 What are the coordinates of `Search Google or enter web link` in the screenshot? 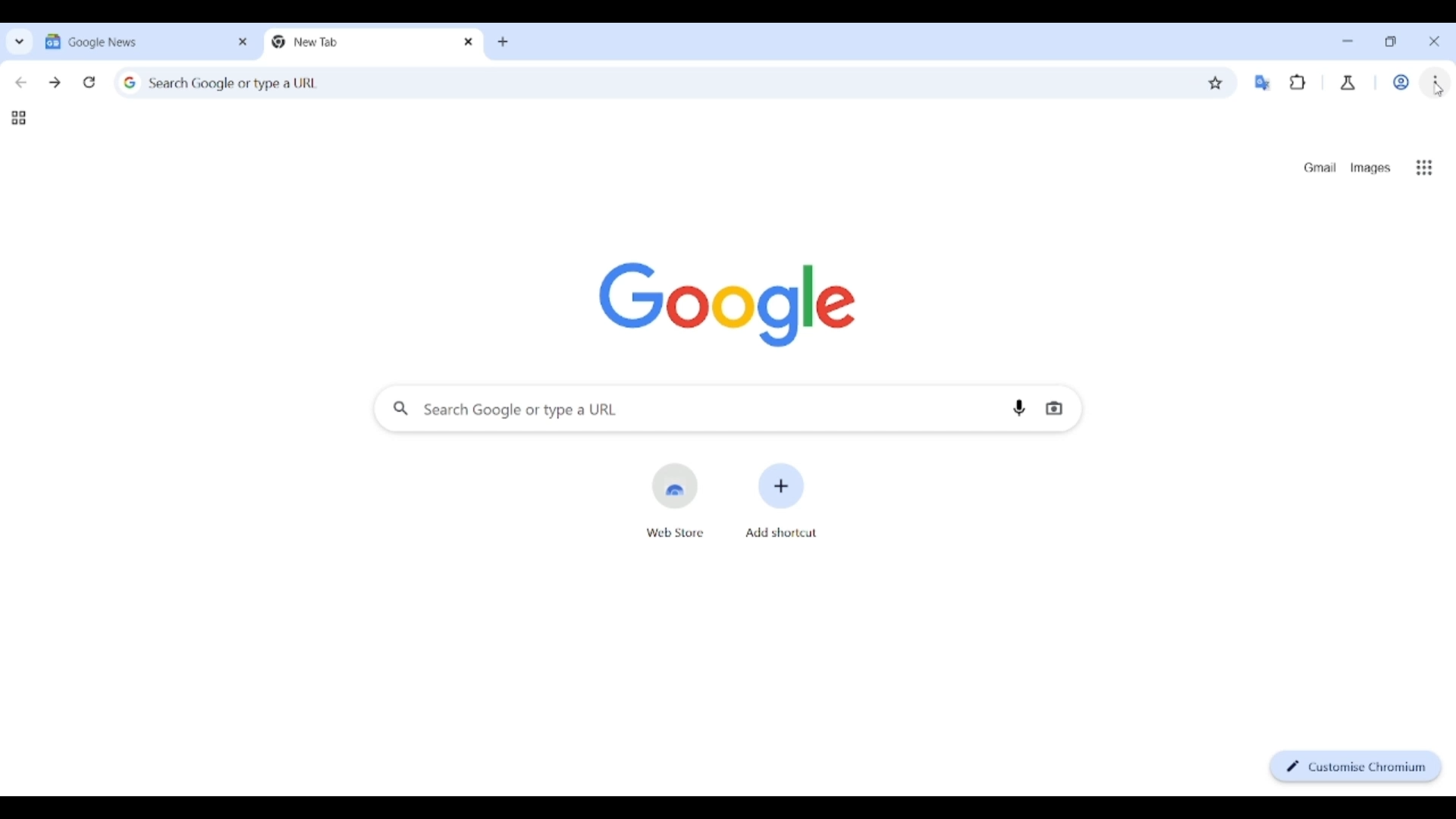 It's located at (689, 408).